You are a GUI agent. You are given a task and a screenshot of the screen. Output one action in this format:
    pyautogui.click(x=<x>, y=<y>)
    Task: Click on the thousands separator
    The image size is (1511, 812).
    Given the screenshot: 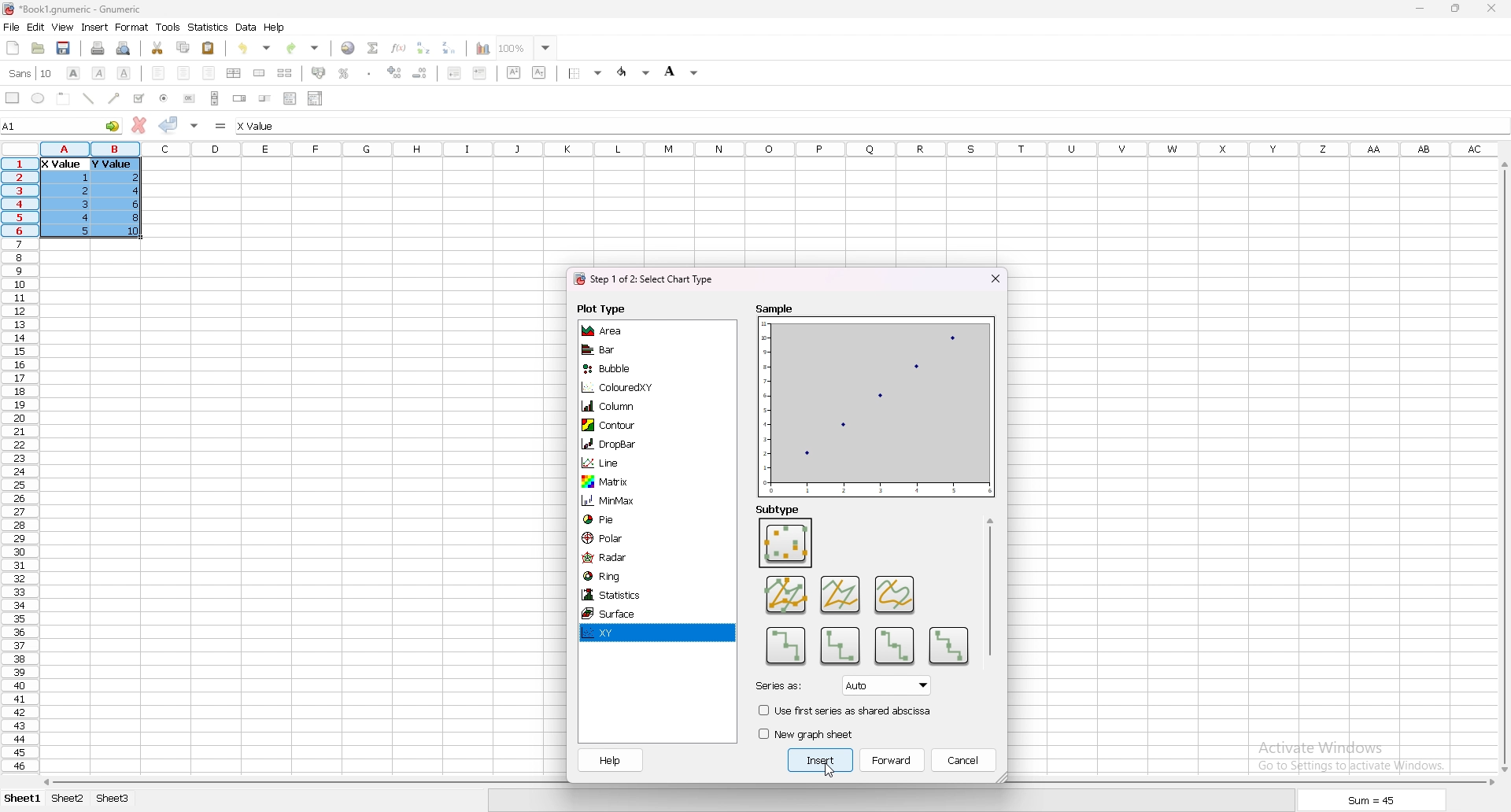 What is the action you would take?
    pyautogui.click(x=370, y=72)
    